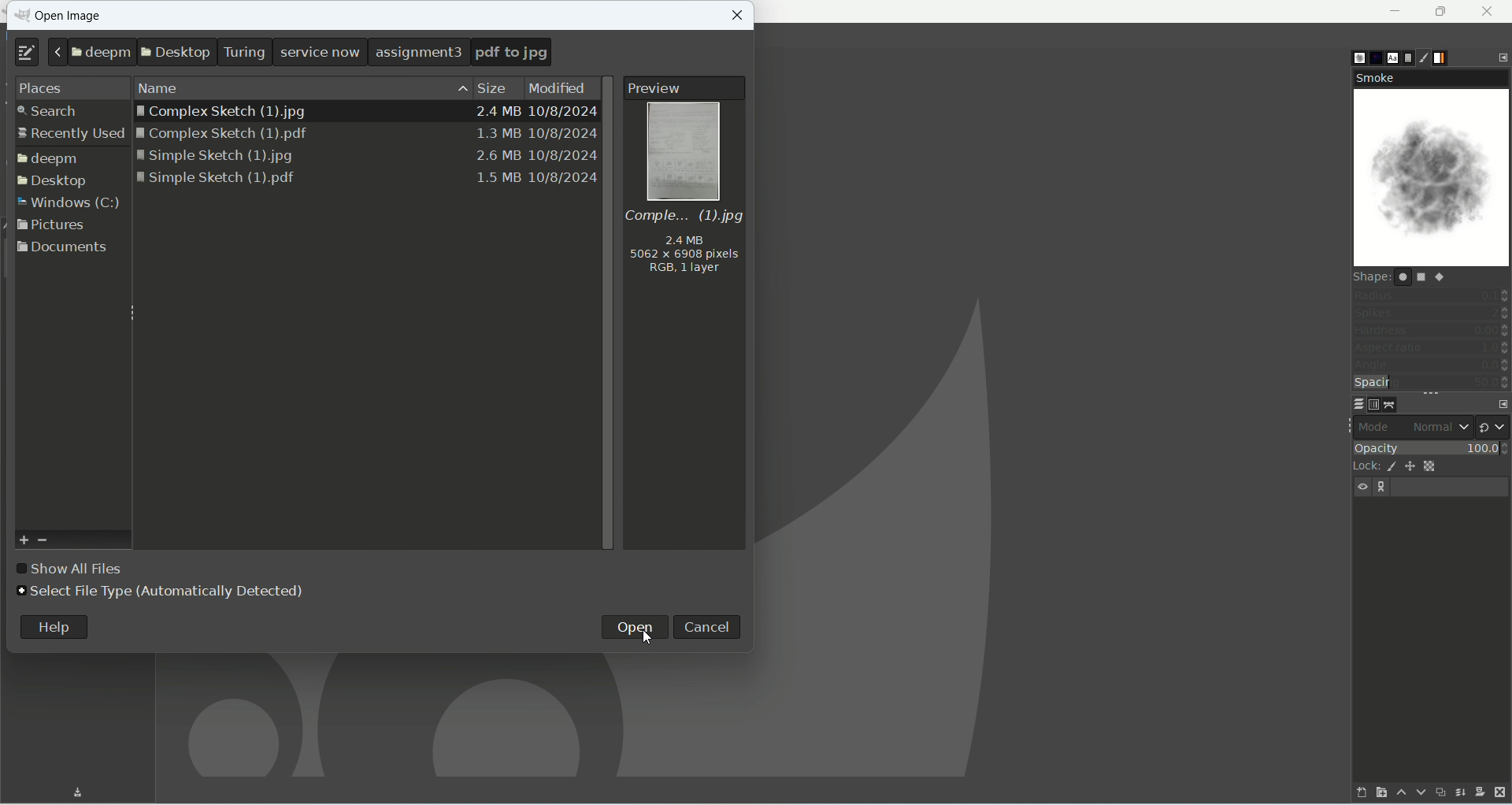 The image size is (1512, 805). Describe the element at coordinates (1425, 56) in the screenshot. I see `brush editor` at that location.